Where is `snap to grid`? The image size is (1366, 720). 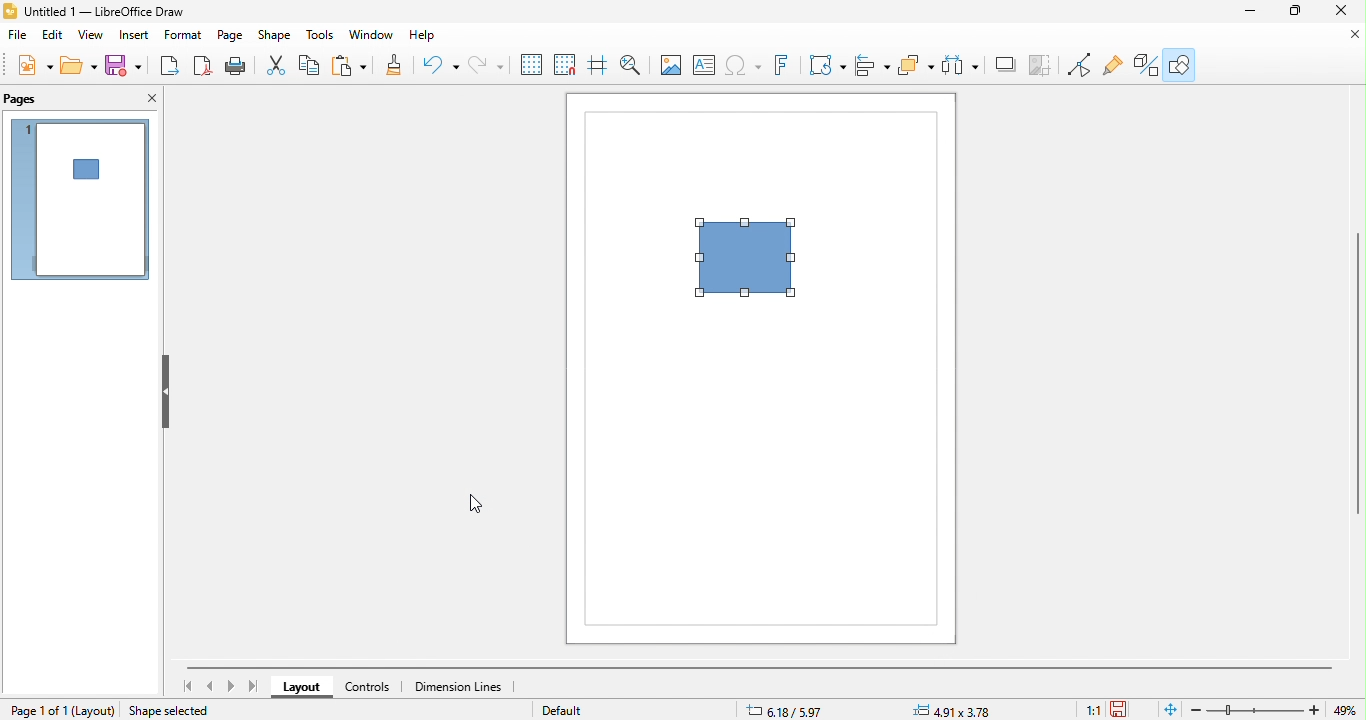 snap to grid is located at coordinates (569, 66).